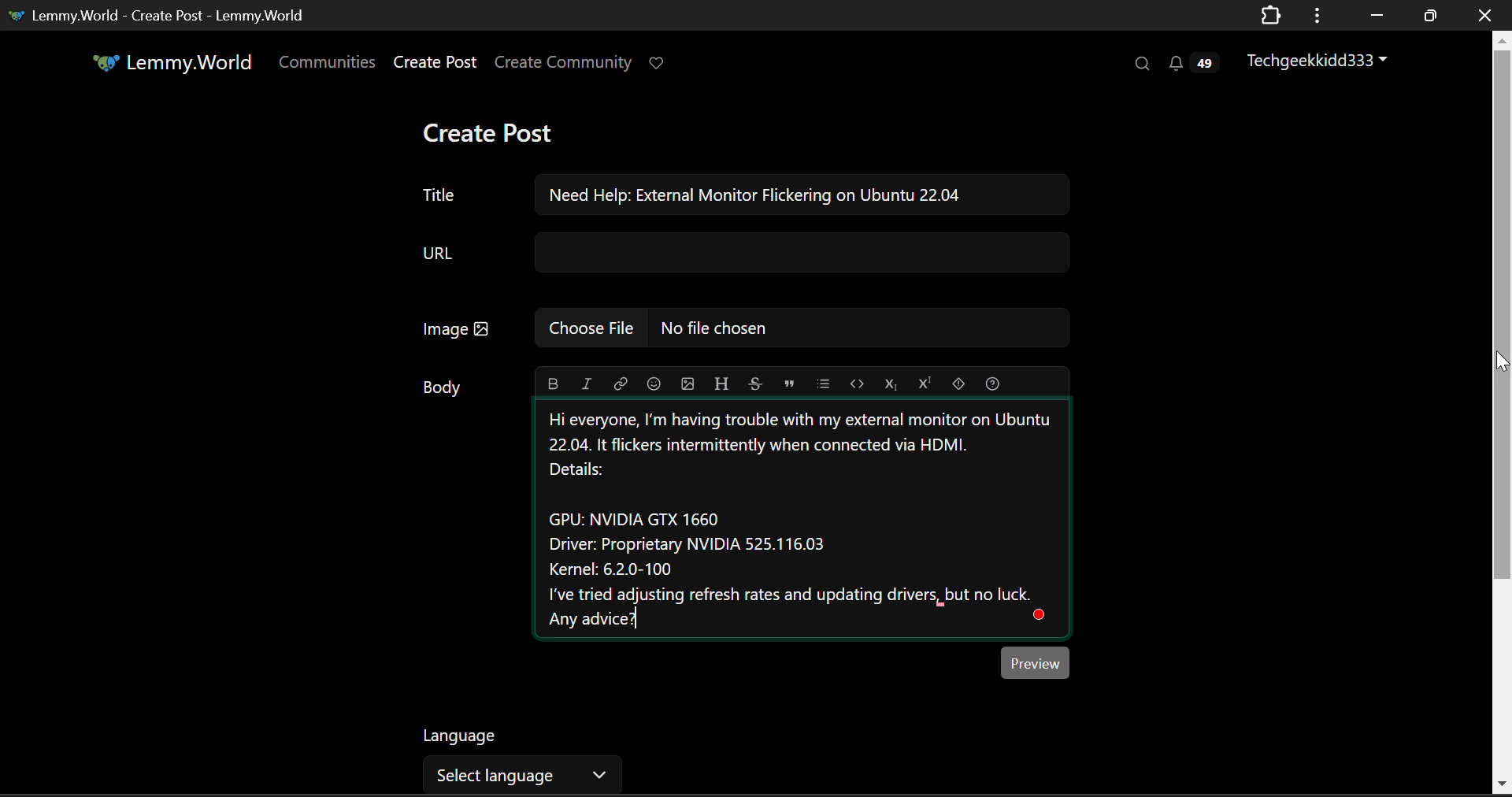 This screenshot has width=1512, height=797. I want to click on Bold, so click(552, 384).